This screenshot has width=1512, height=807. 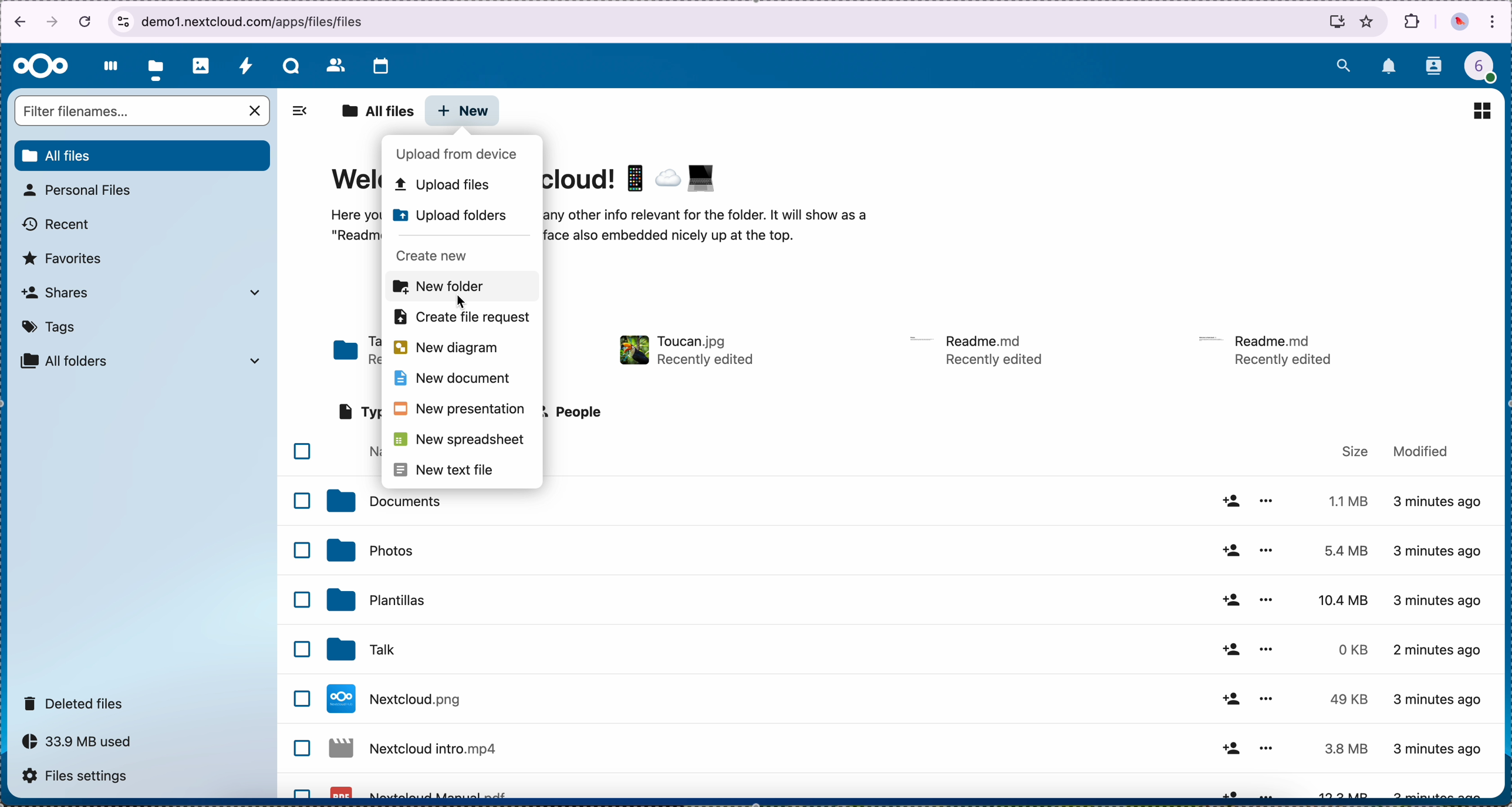 I want to click on contacts, so click(x=335, y=65).